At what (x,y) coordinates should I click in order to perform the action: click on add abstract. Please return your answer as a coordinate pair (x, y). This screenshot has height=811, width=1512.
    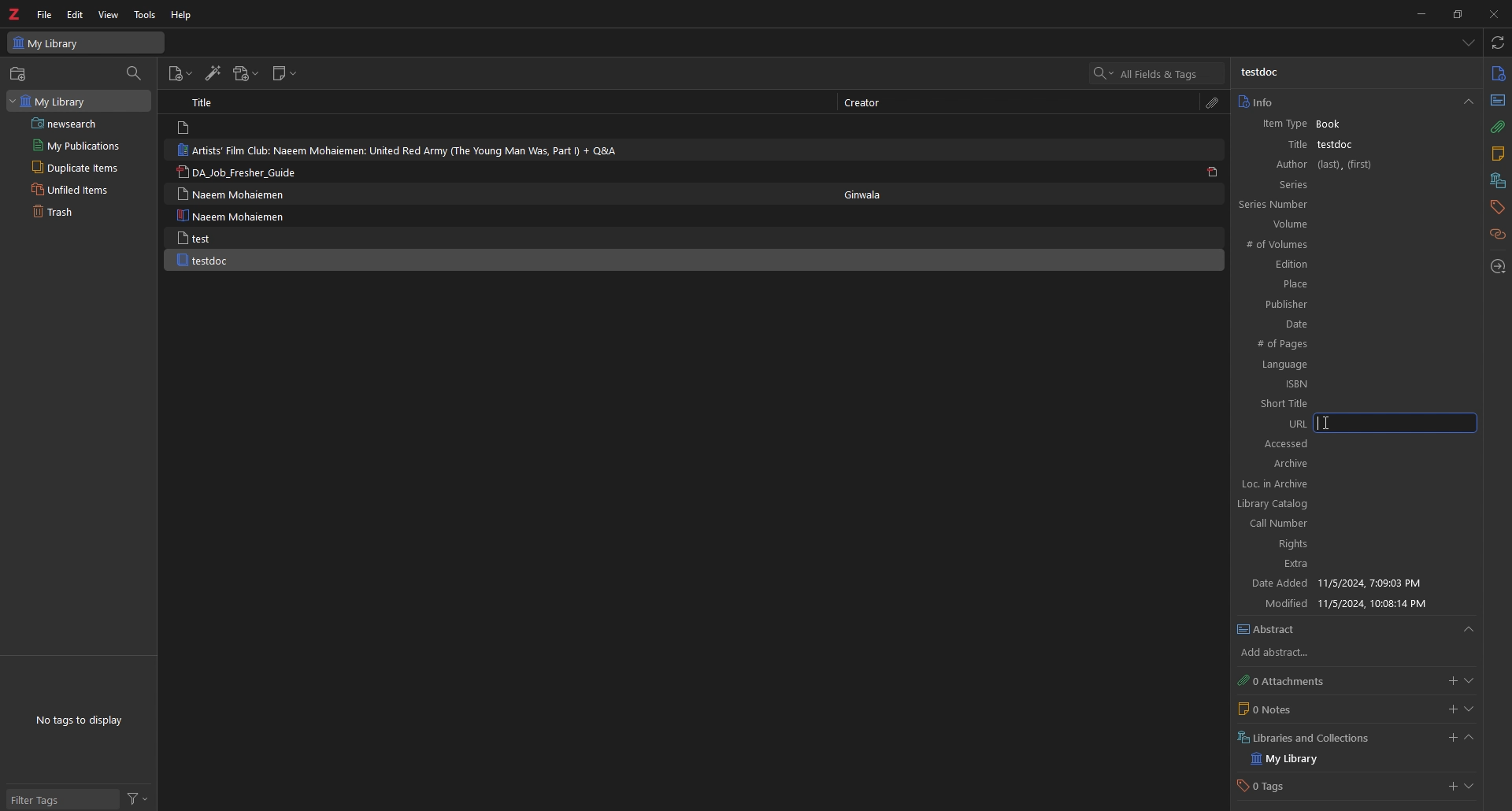
    Looking at the image, I should click on (1287, 654).